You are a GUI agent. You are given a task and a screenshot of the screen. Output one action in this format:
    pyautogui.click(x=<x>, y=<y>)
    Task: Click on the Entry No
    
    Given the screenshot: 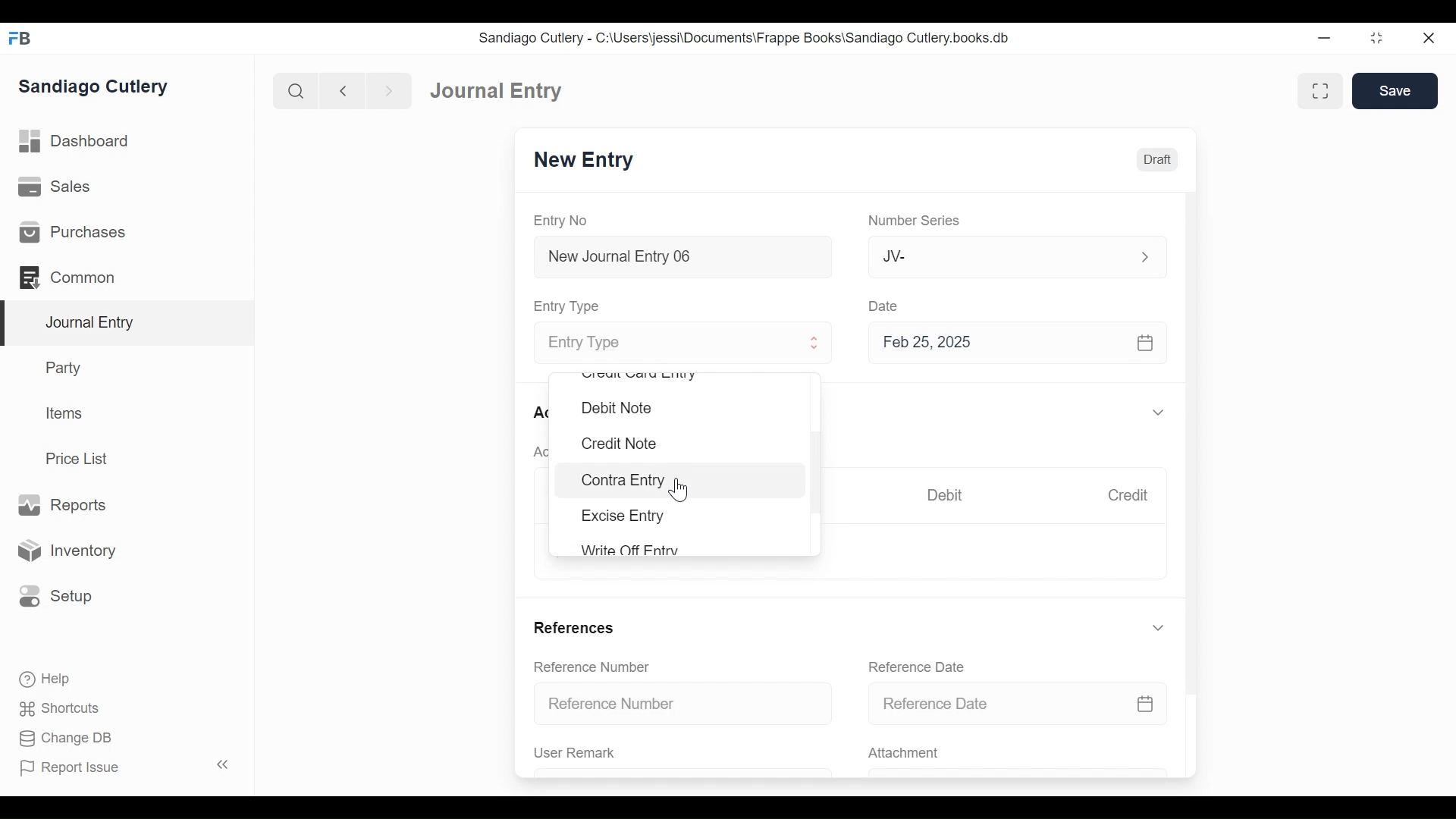 What is the action you would take?
    pyautogui.click(x=561, y=221)
    